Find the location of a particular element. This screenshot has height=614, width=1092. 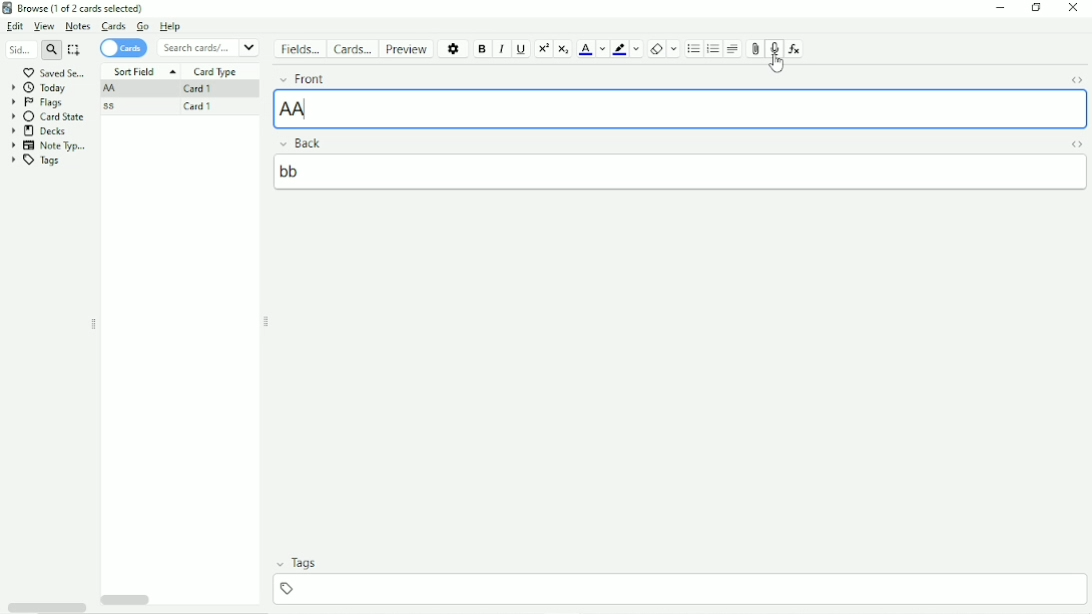

Note Types is located at coordinates (50, 145).